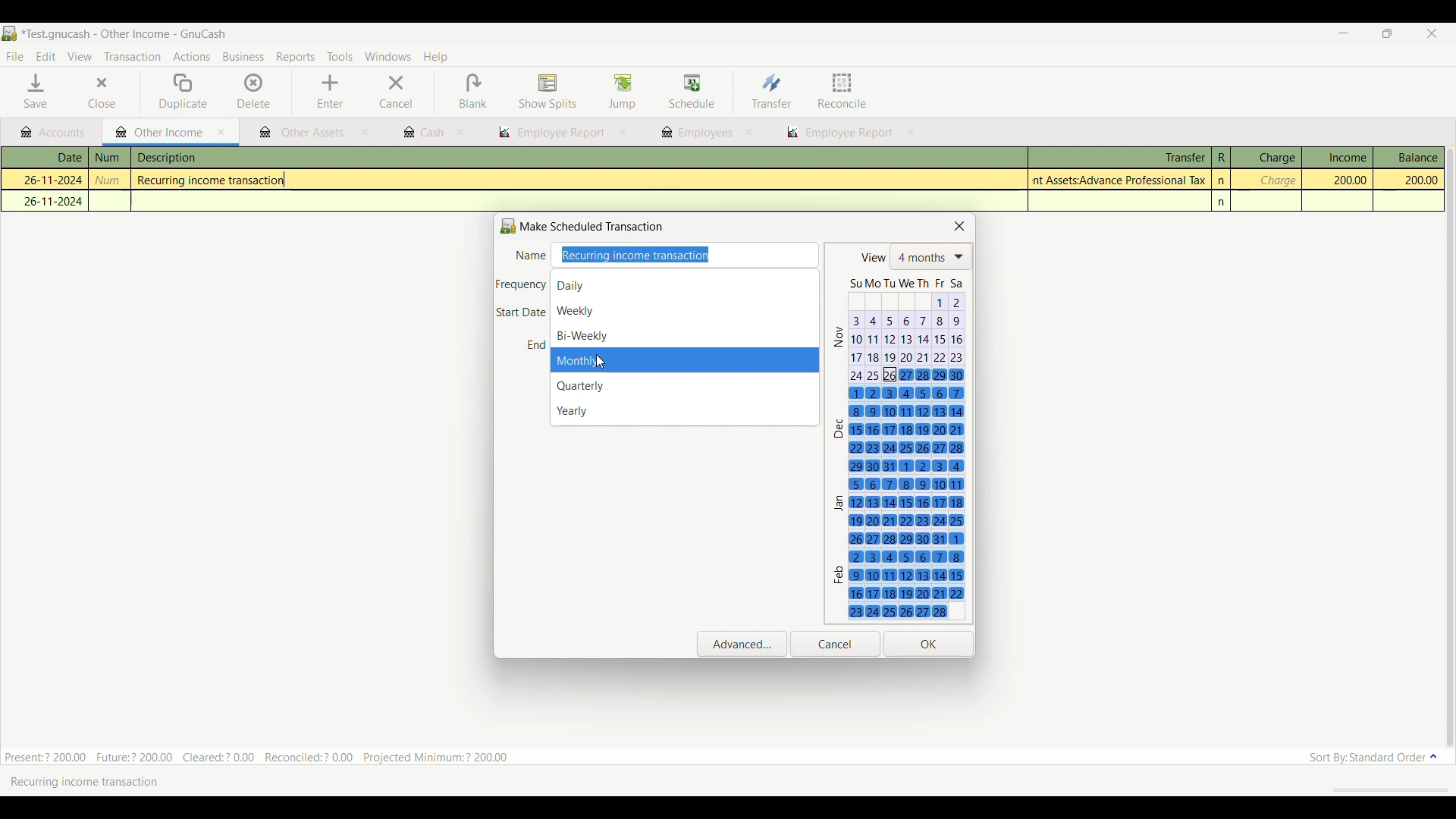 The height and width of the screenshot is (819, 1456). What do you see at coordinates (1373, 758) in the screenshot?
I see `Sort order options` at bounding box center [1373, 758].